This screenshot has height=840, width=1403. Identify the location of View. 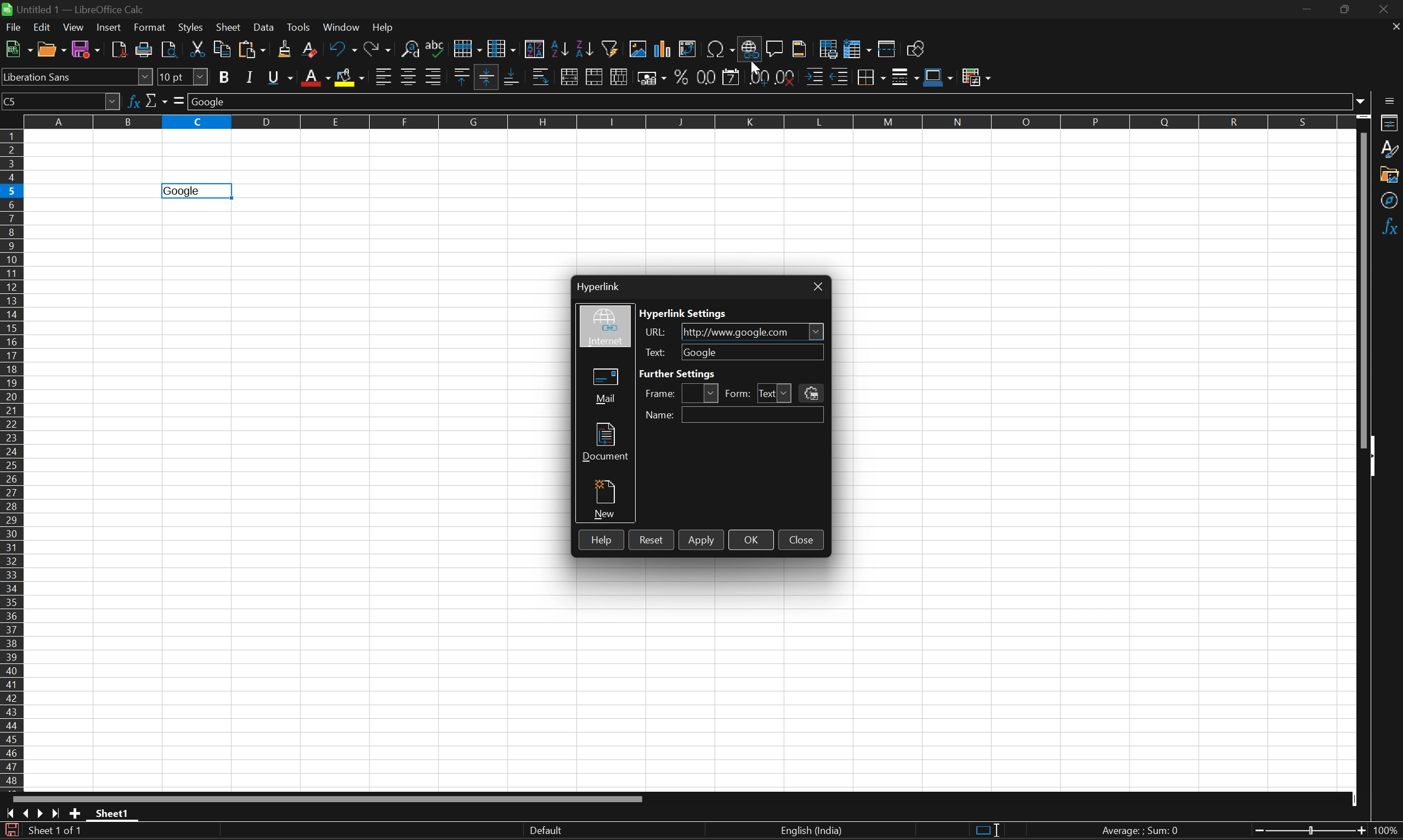
(73, 28).